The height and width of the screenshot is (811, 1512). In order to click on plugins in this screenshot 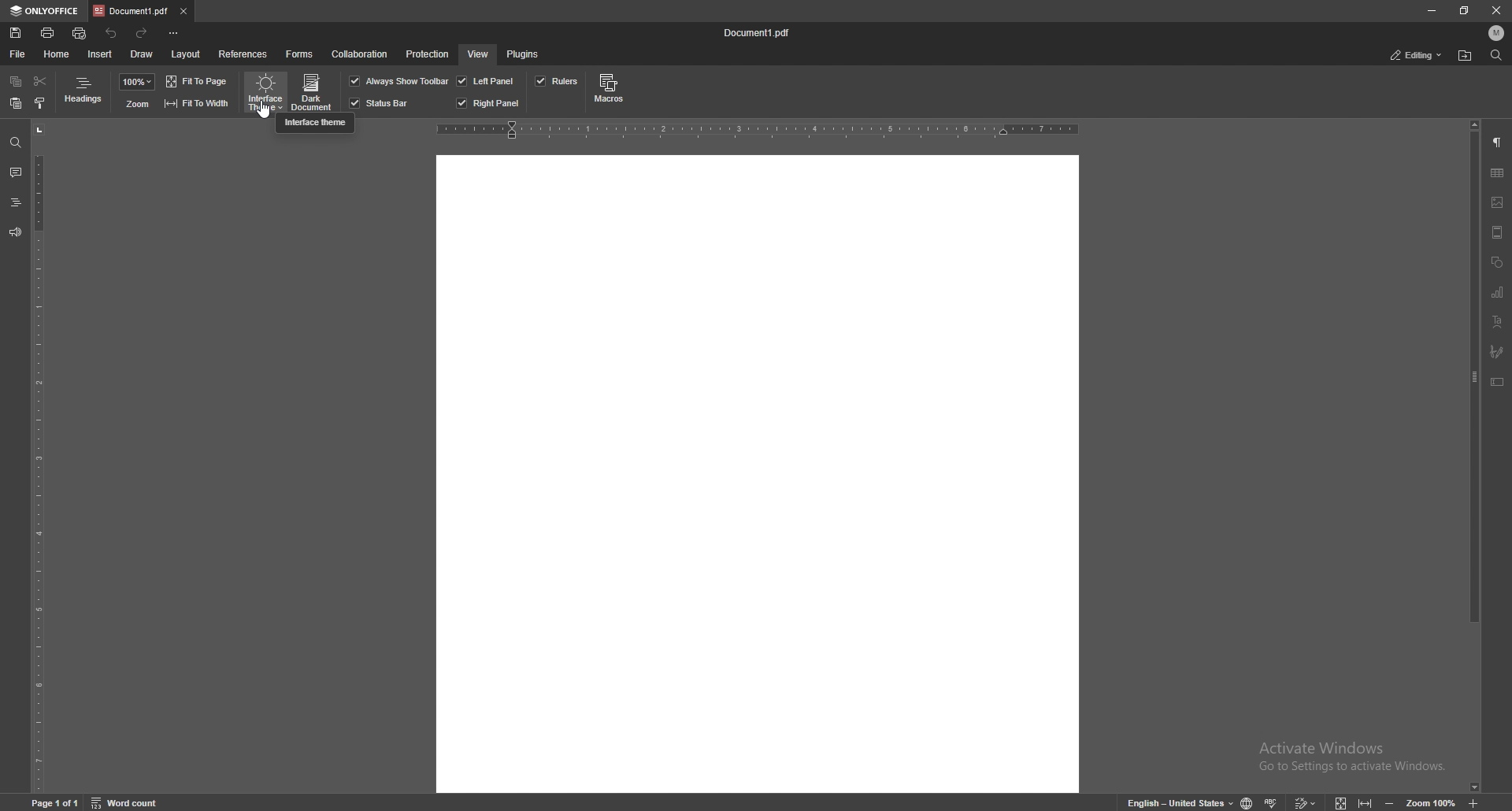, I will do `click(526, 54)`.